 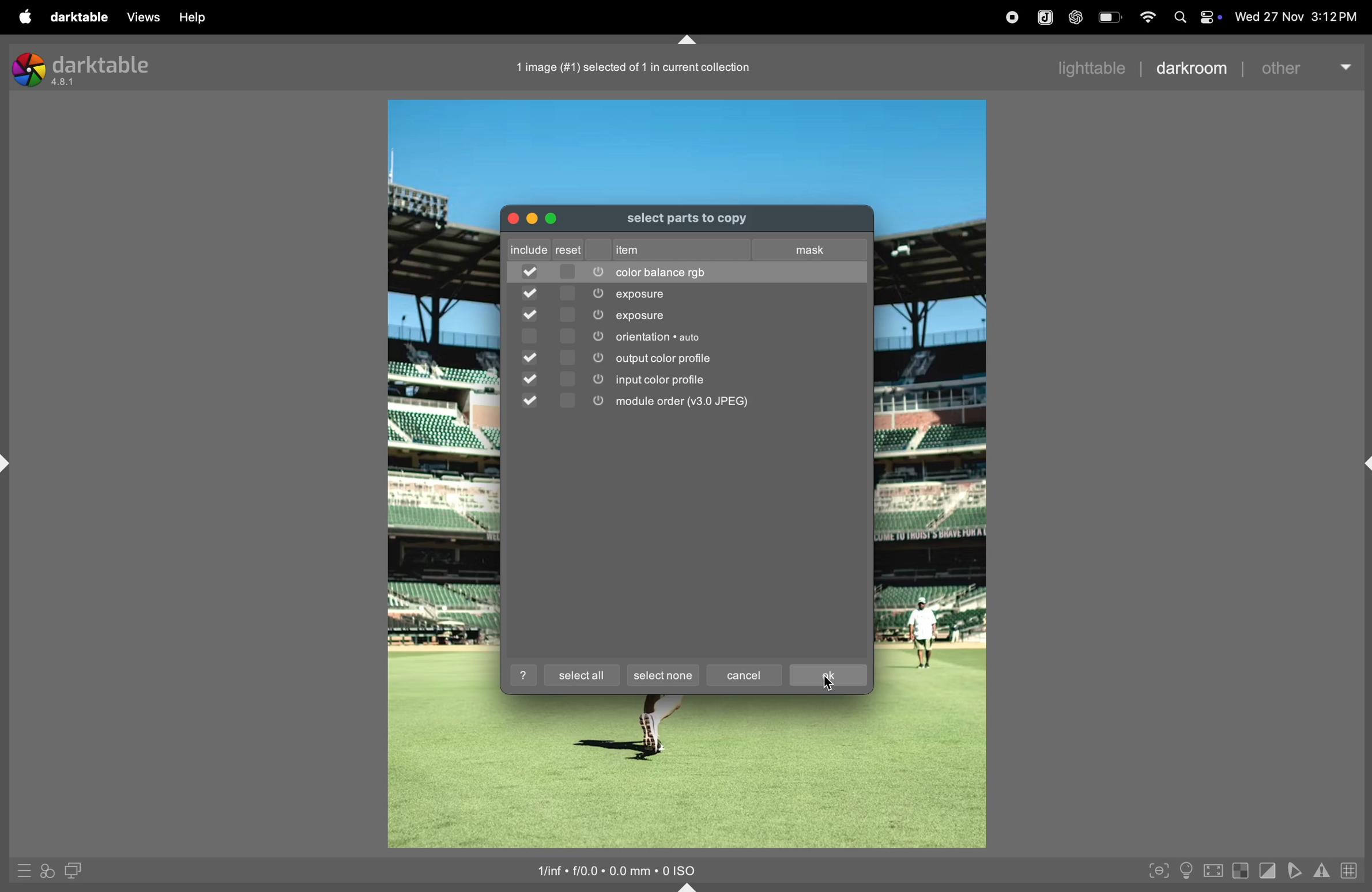 I want to click on check box, so click(x=532, y=336).